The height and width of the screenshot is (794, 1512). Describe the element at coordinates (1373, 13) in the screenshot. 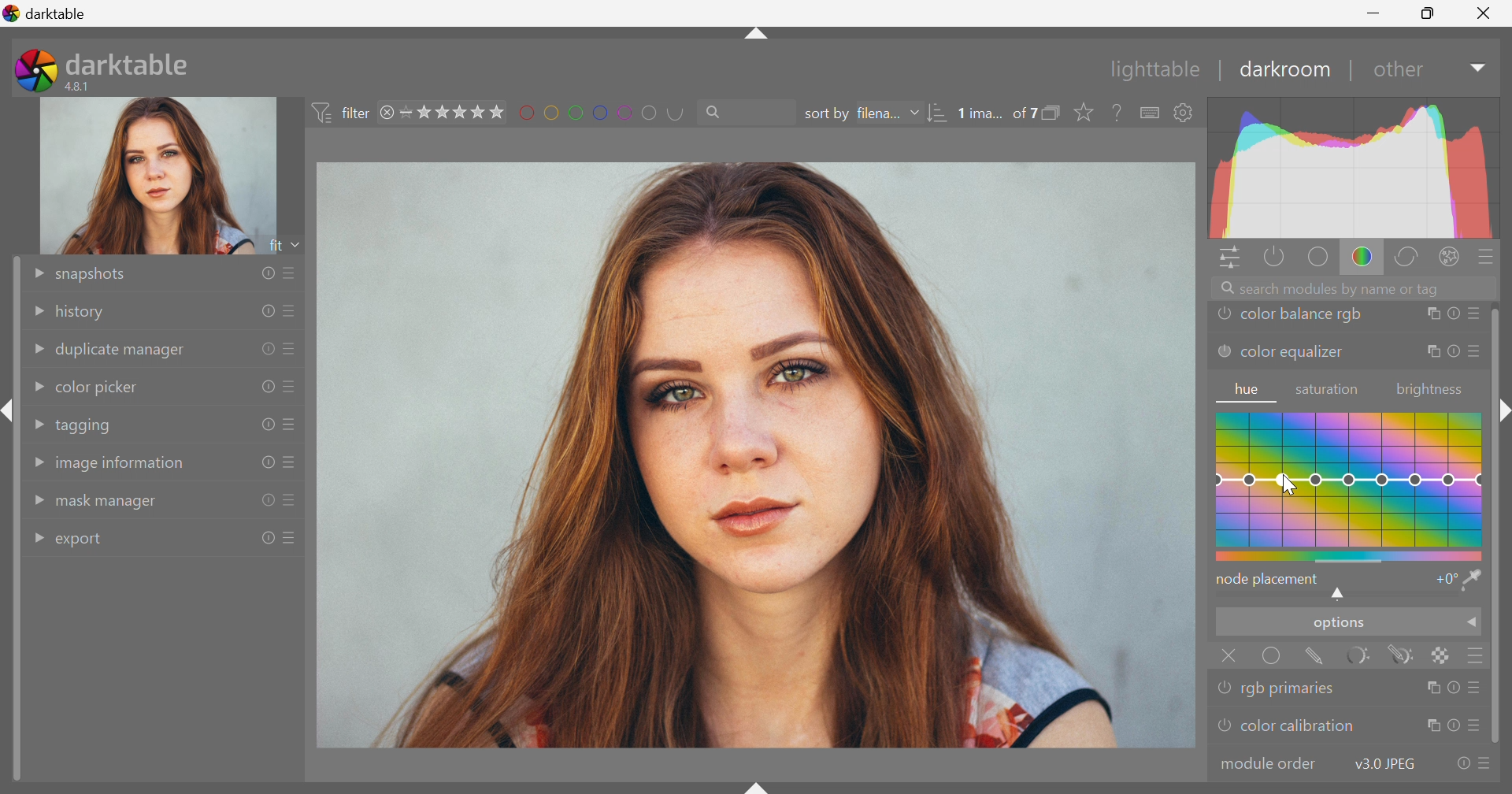

I see `Minimize` at that location.